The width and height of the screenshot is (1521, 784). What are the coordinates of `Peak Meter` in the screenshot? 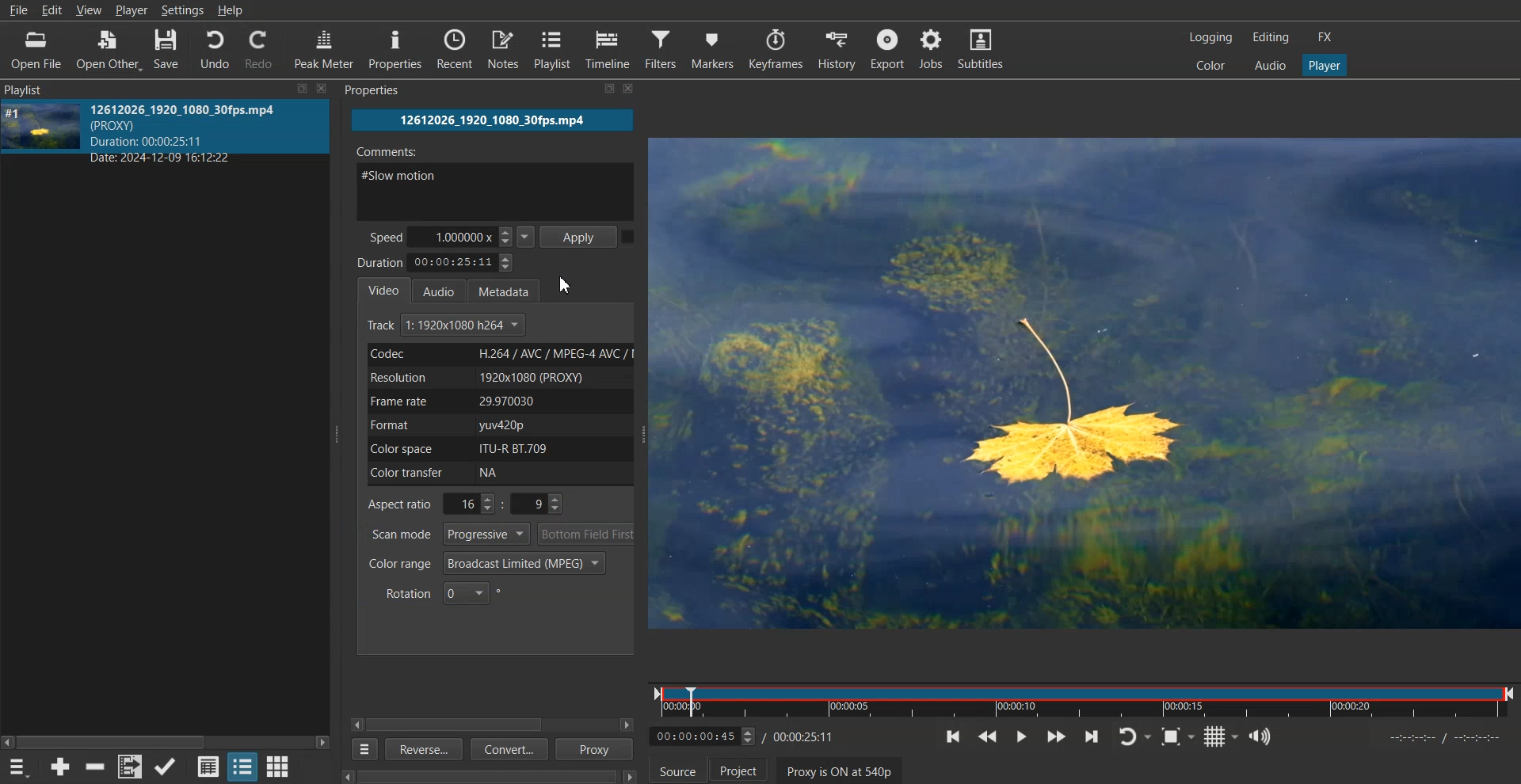 It's located at (325, 48).